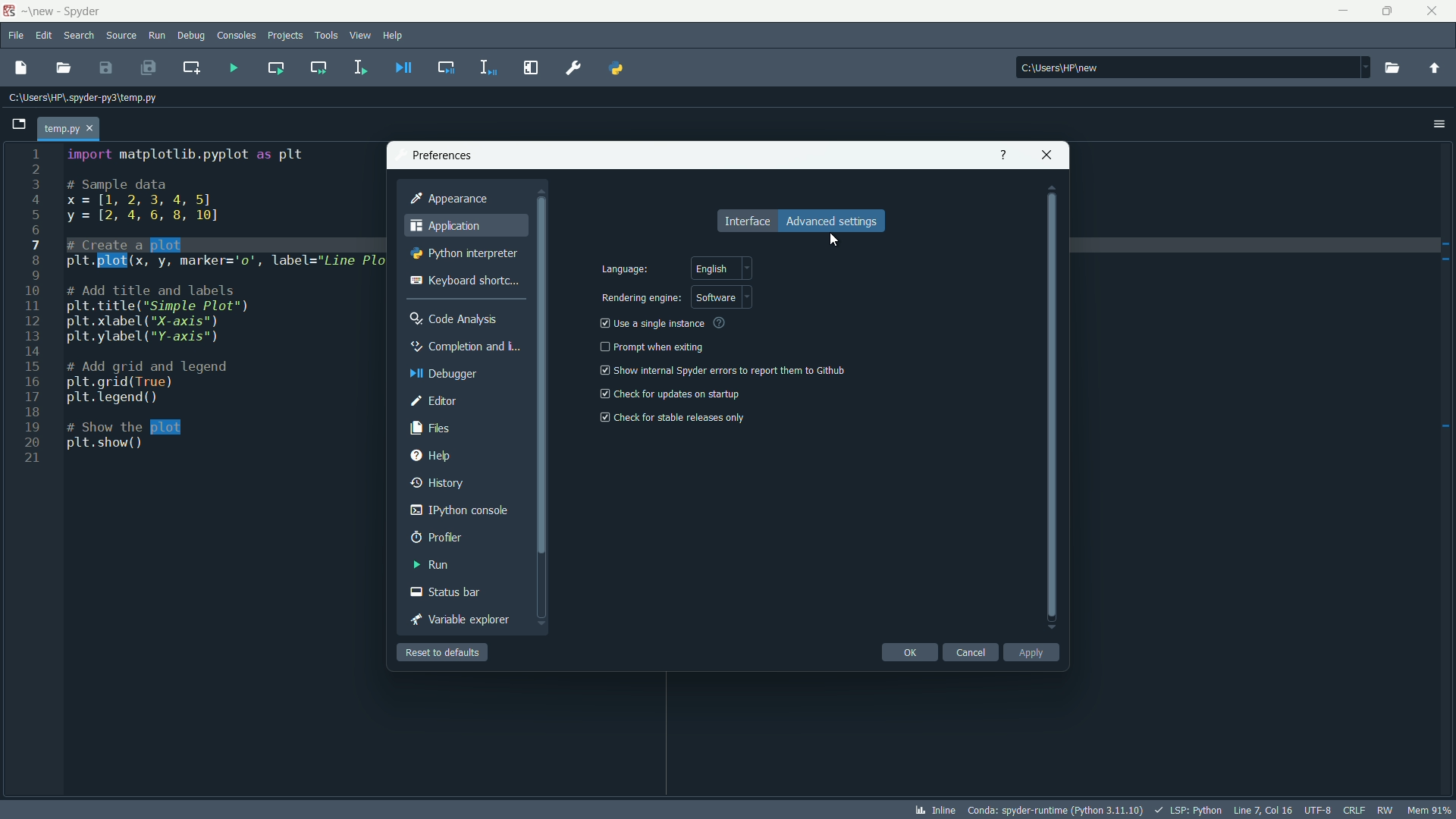  Describe the element at coordinates (544, 407) in the screenshot. I see `vertical scrollbar` at that location.